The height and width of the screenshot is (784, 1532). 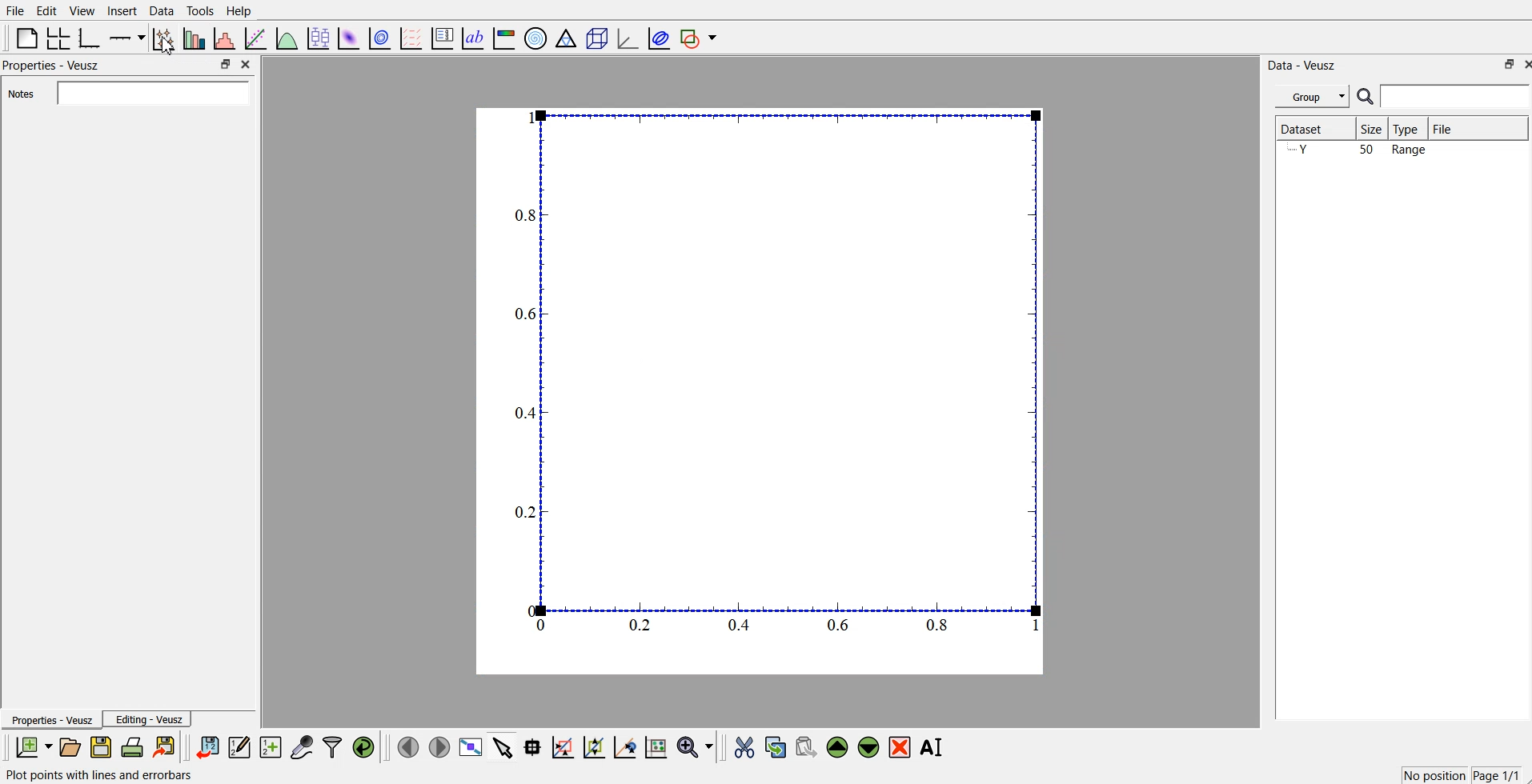 I want to click on View, so click(x=82, y=10).